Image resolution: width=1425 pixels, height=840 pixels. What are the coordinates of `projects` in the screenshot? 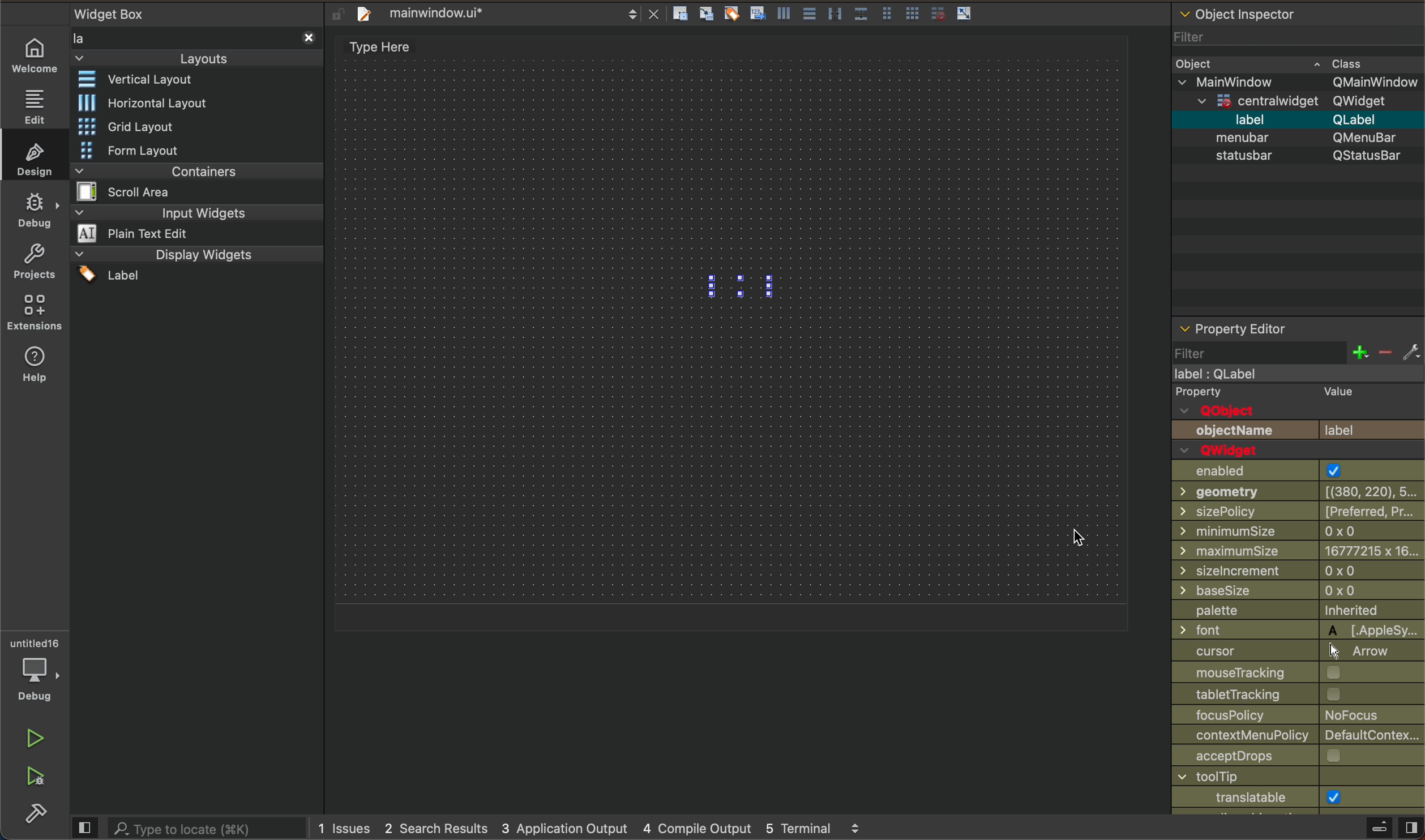 It's located at (32, 265).